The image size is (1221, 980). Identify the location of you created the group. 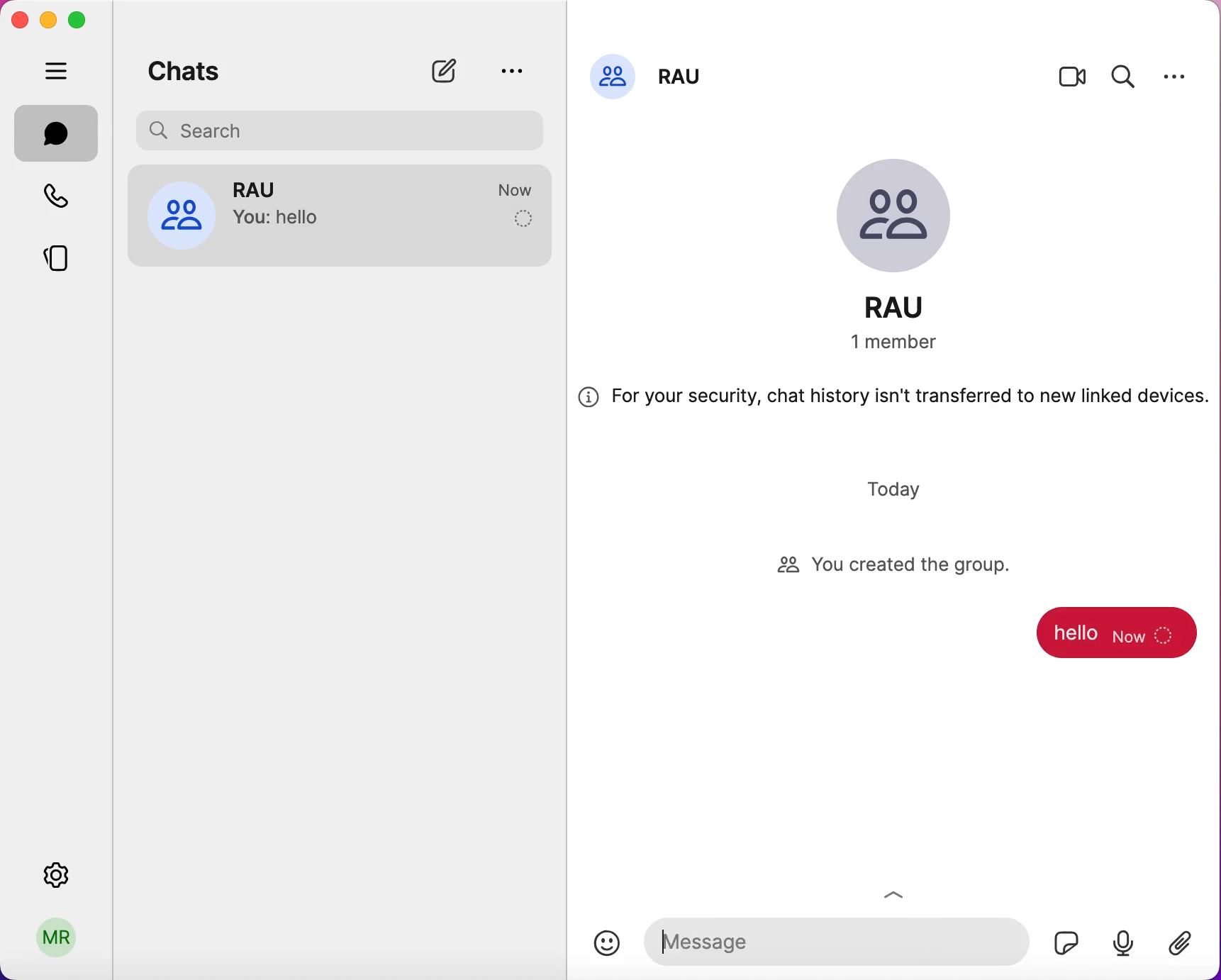
(908, 567).